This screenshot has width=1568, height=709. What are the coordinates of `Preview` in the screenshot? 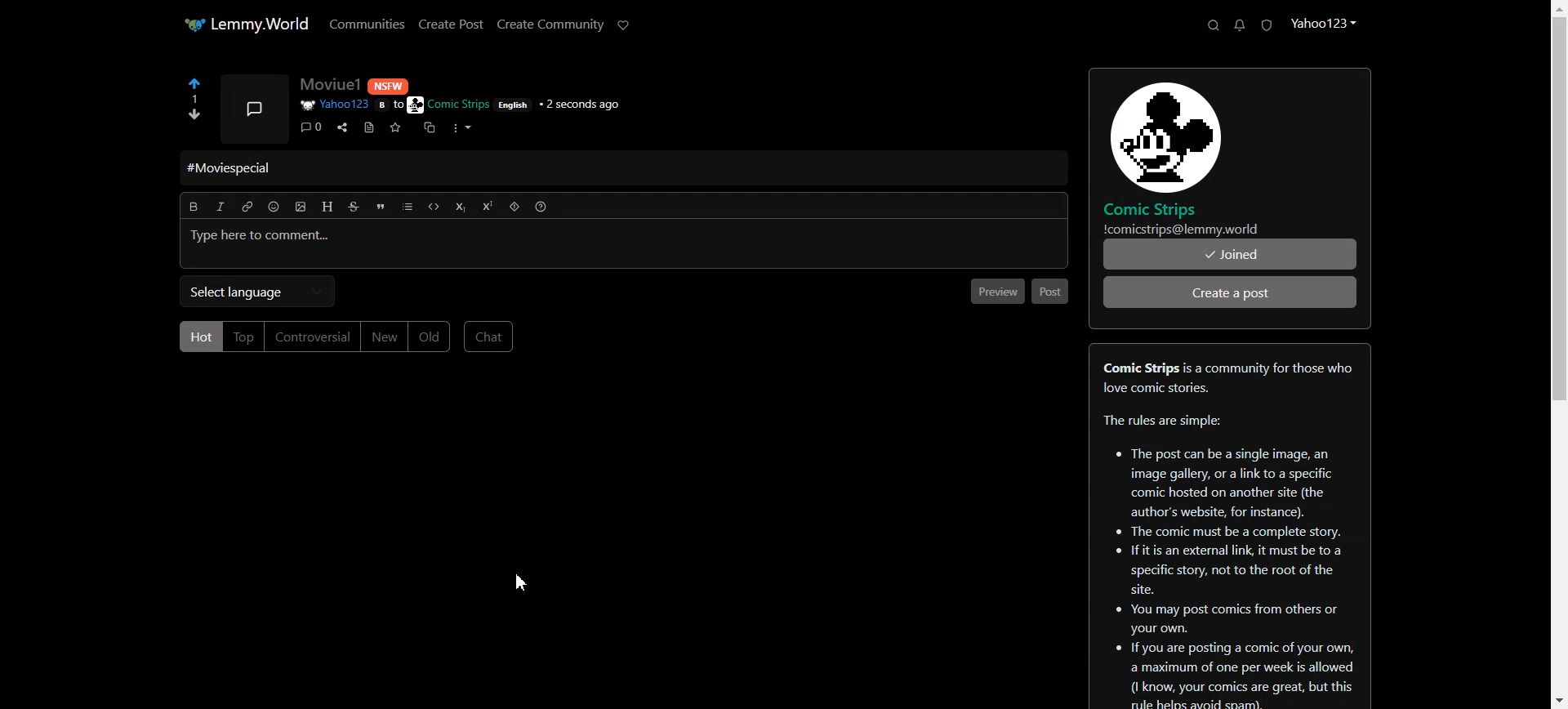 It's located at (995, 292).